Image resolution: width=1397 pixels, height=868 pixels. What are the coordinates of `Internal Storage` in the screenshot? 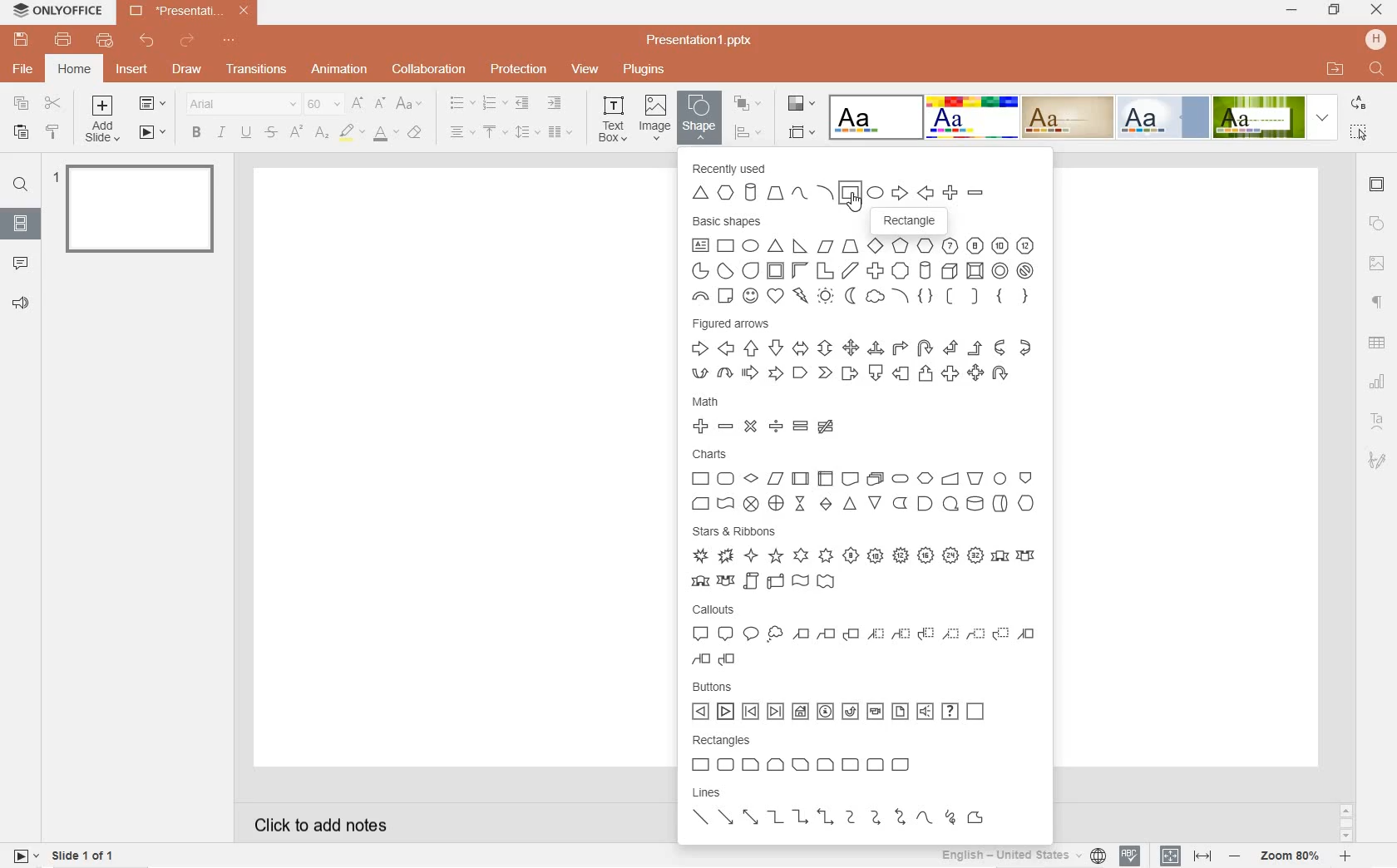 It's located at (824, 479).